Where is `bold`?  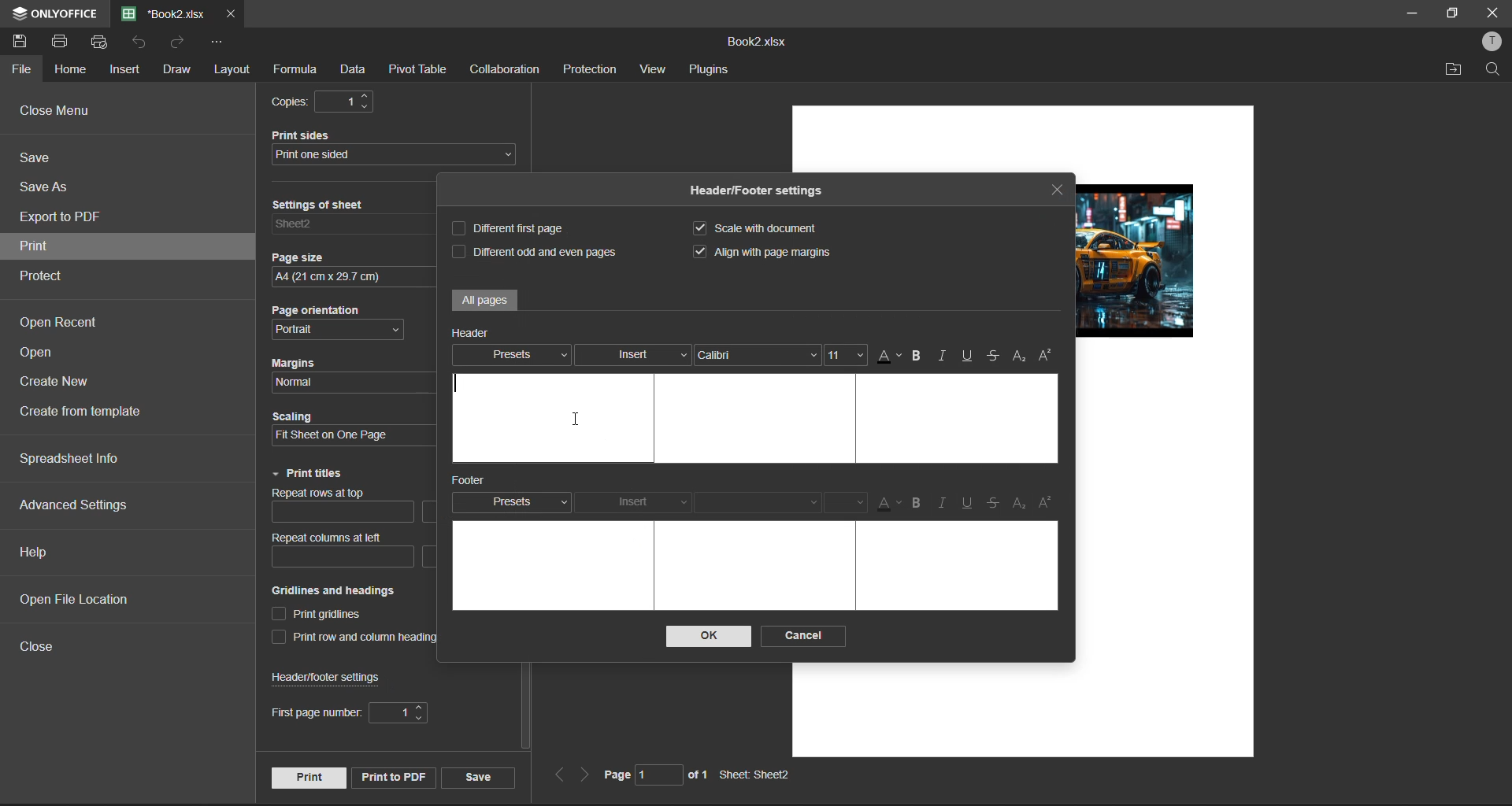
bold is located at coordinates (920, 503).